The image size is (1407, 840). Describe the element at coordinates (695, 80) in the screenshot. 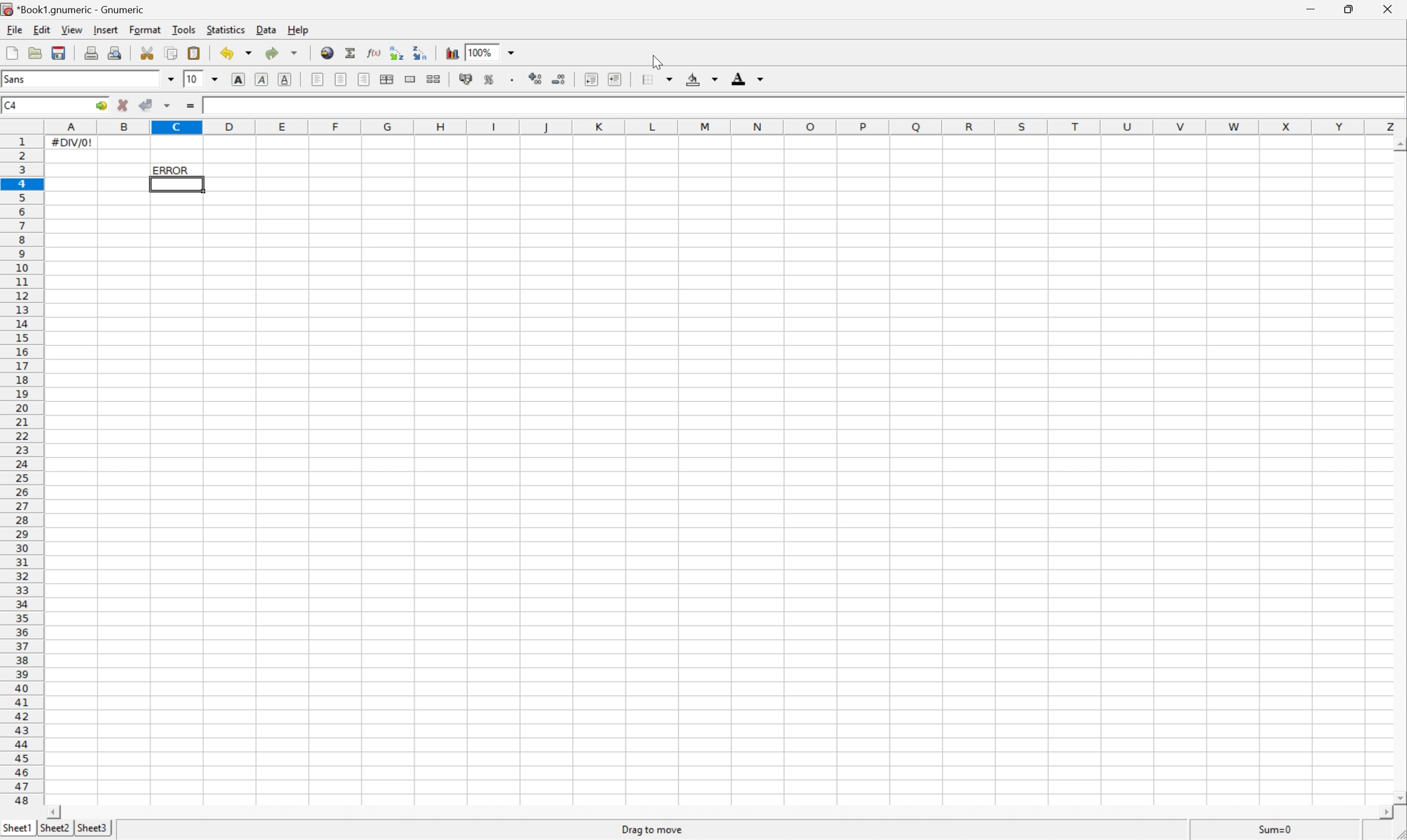

I see `Background` at that location.